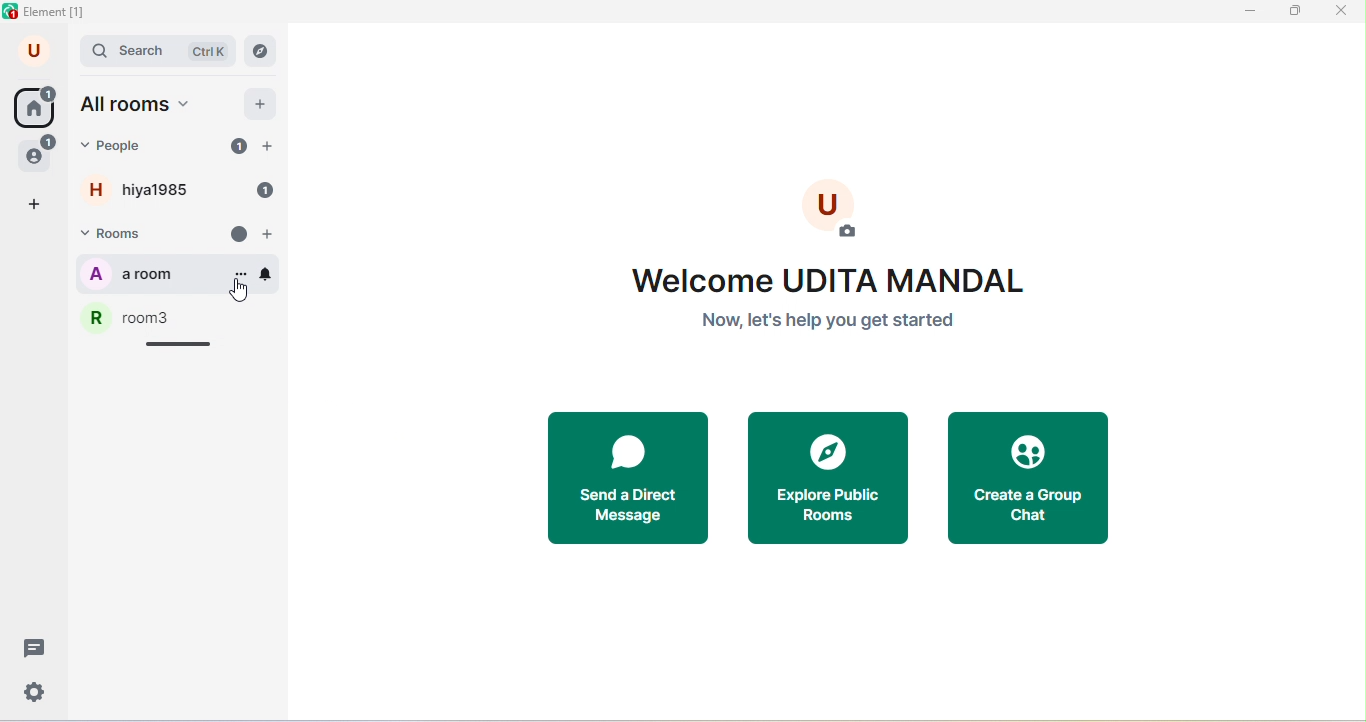 This screenshot has width=1366, height=722. I want to click on send a direct chat, so click(635, 480).